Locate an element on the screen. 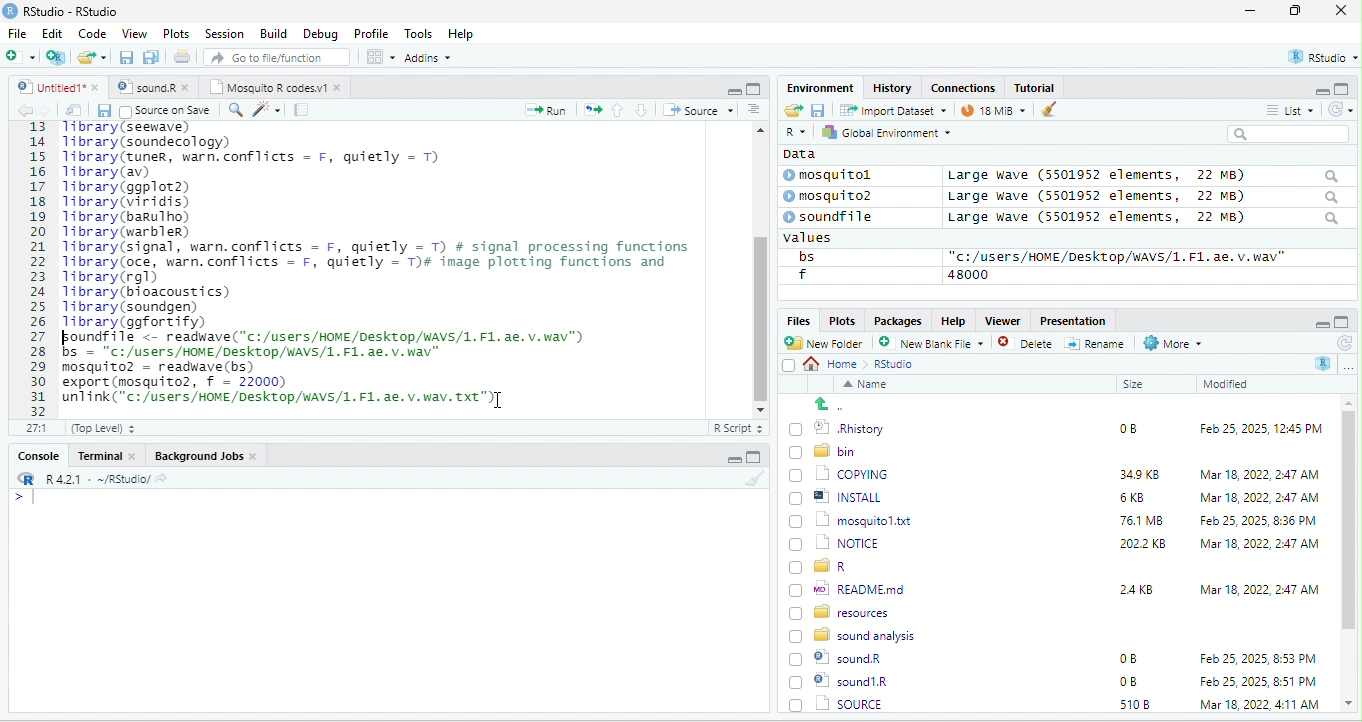 The width and height of the screenshot is (1362, 722). RR R421 - ~/RStudio/ is located at coordinates (87, 481).